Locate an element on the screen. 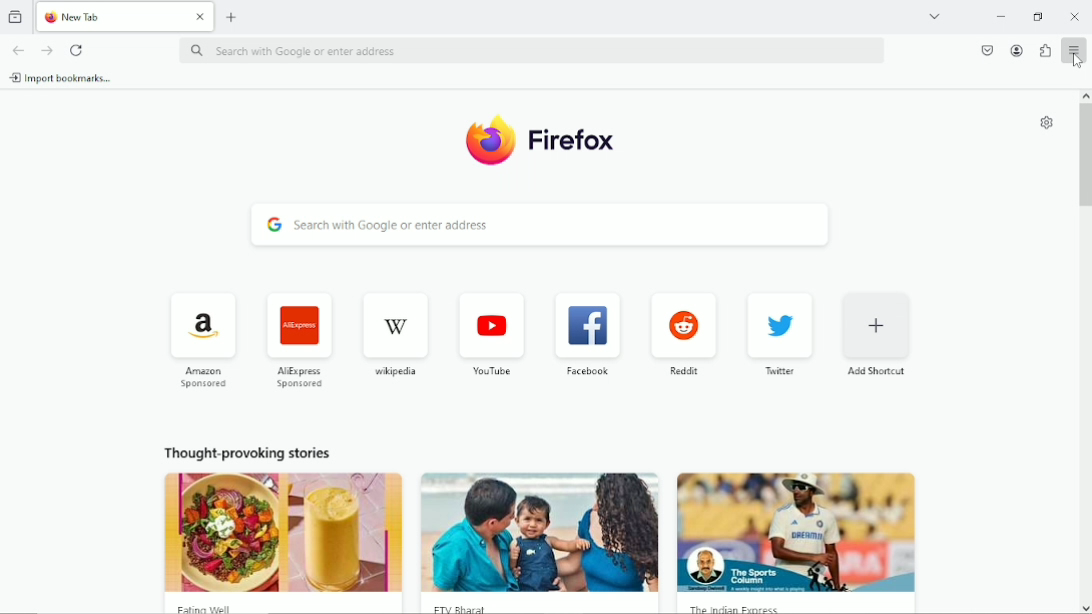 Image resolution: width=1092 pixels, height=614 pixels. Add shortcut is located at coordinates (872, 375).